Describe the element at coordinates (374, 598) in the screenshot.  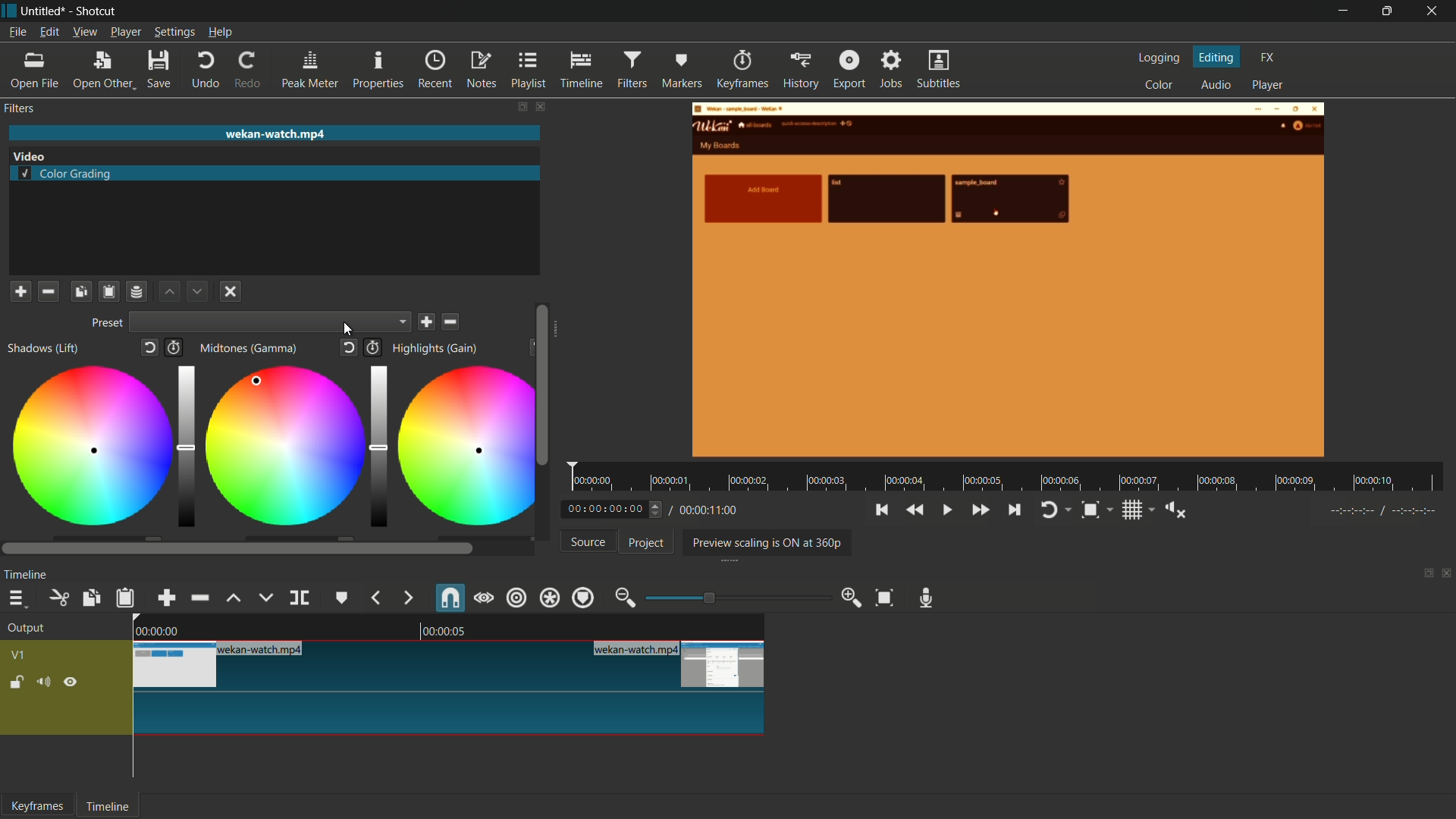
I see `previous marker` at that location.